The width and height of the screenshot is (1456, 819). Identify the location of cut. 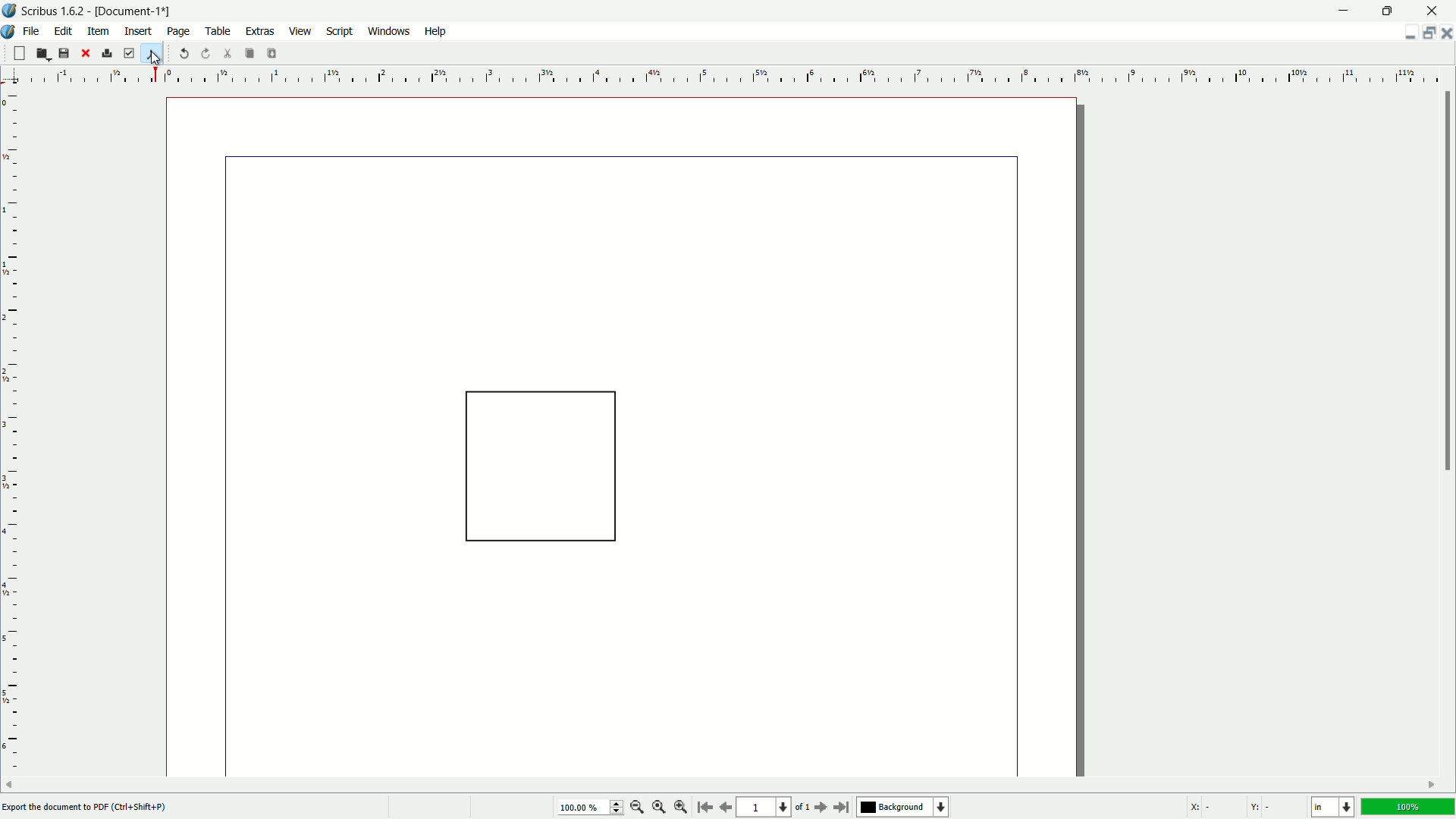
(225, 53).